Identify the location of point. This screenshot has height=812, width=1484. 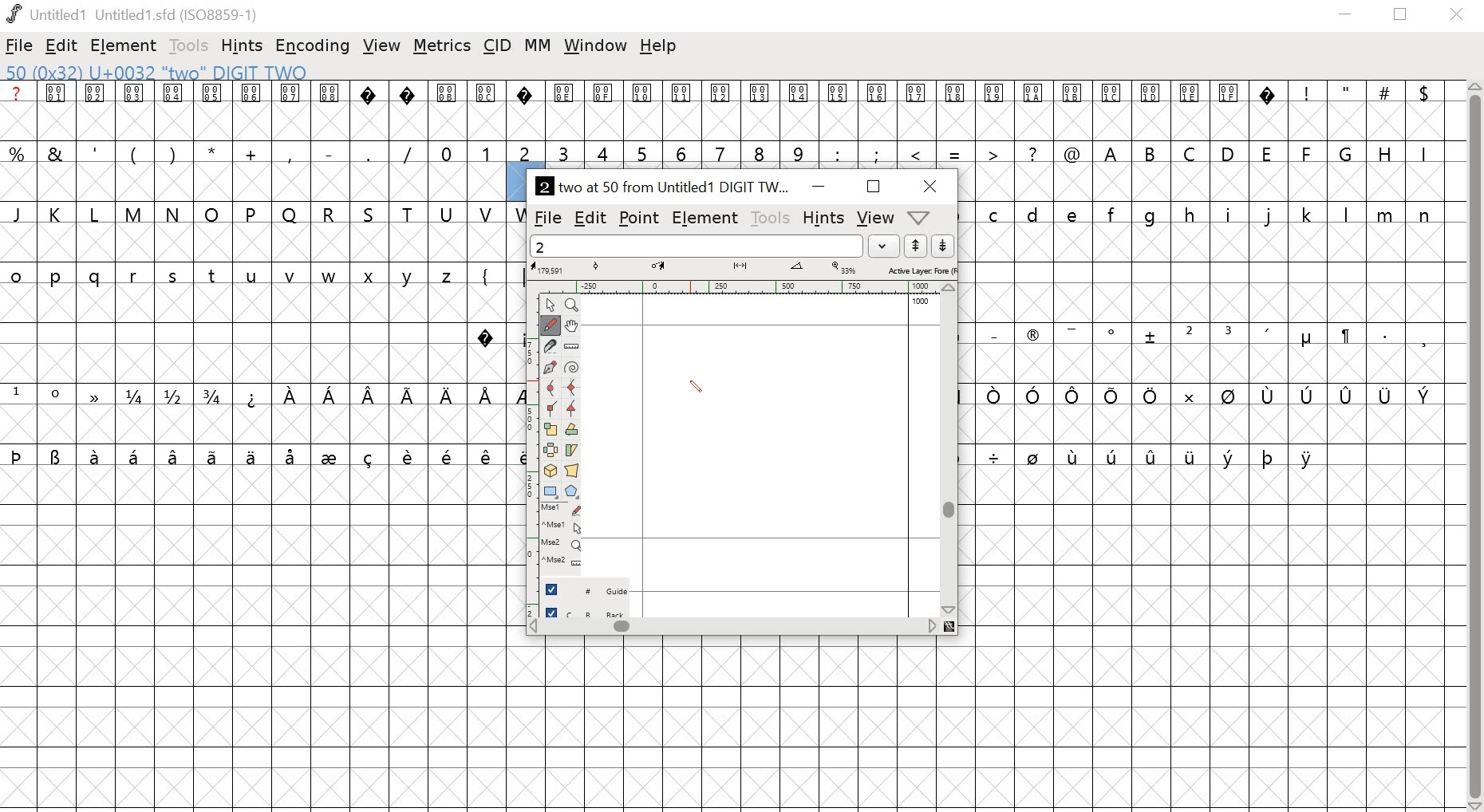
(638, 218).